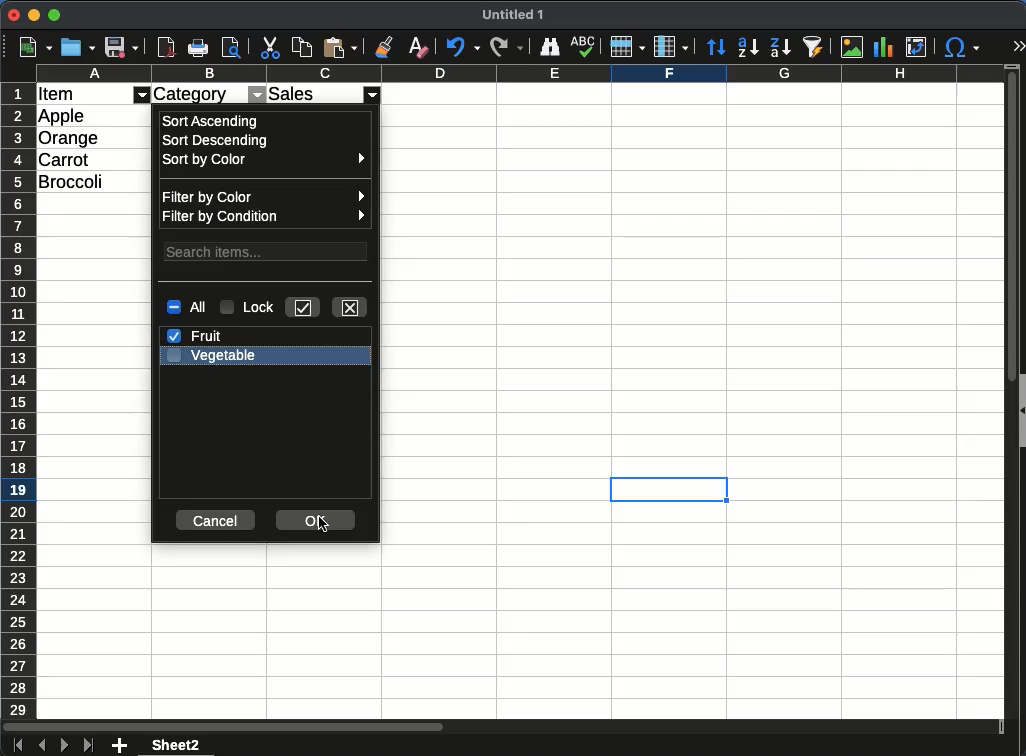  What do you see at coordinates (75, 180) in the screenshot?
I see `broccoli` at bounding box center [75, 180].